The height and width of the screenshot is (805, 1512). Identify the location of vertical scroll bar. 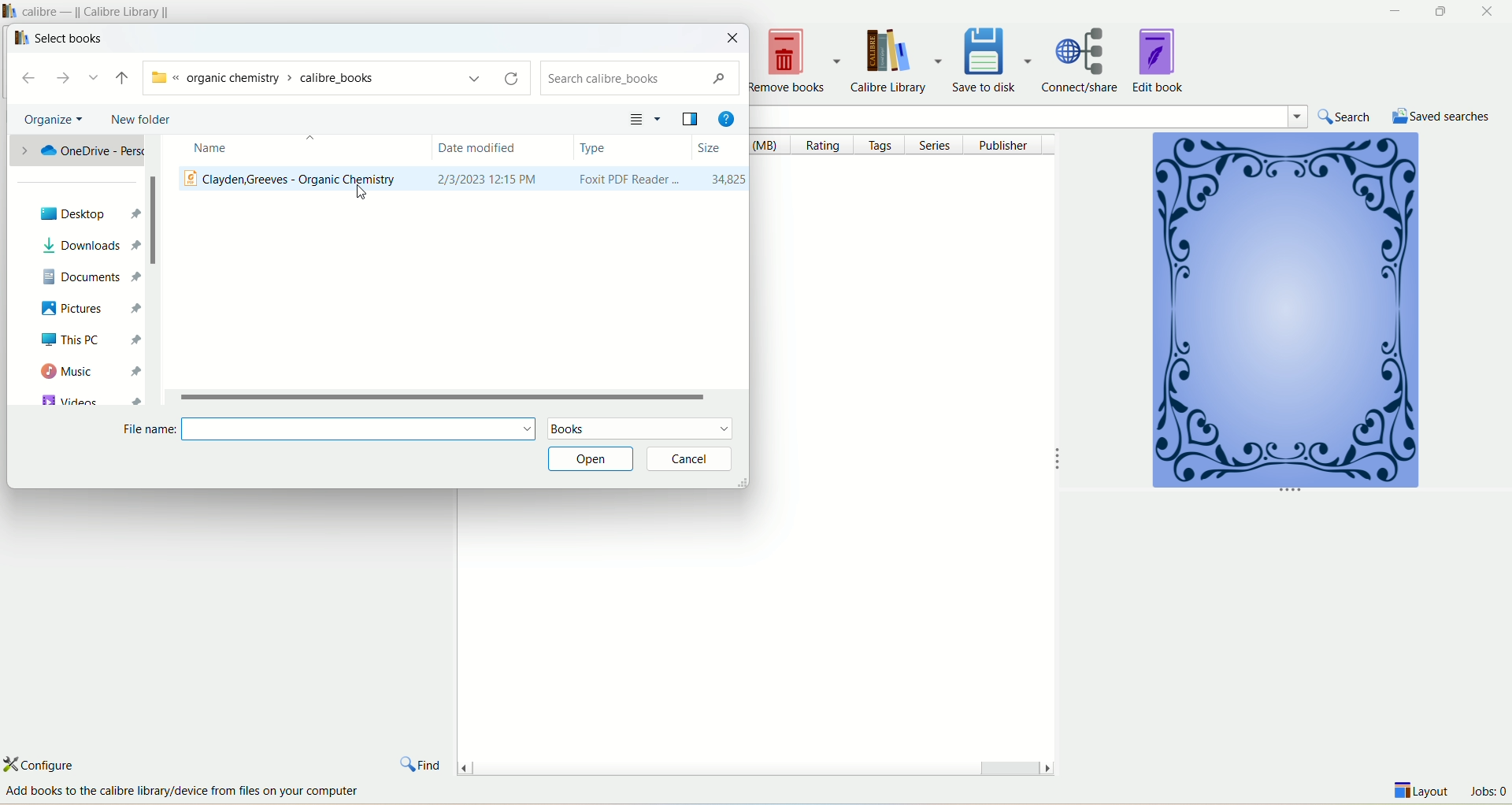
(152, 270).